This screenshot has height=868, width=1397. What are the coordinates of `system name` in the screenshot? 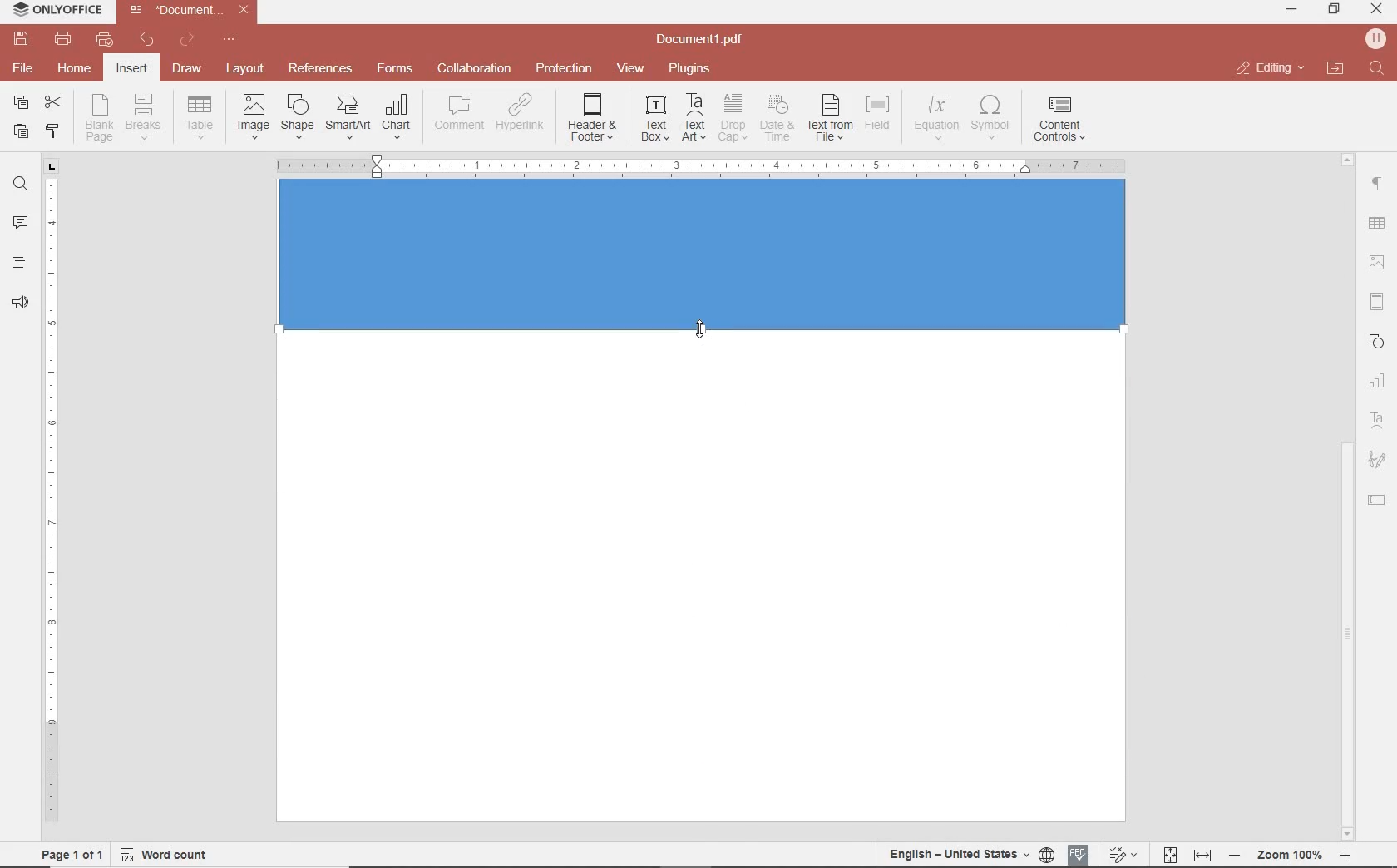 It's located at (53, 11).